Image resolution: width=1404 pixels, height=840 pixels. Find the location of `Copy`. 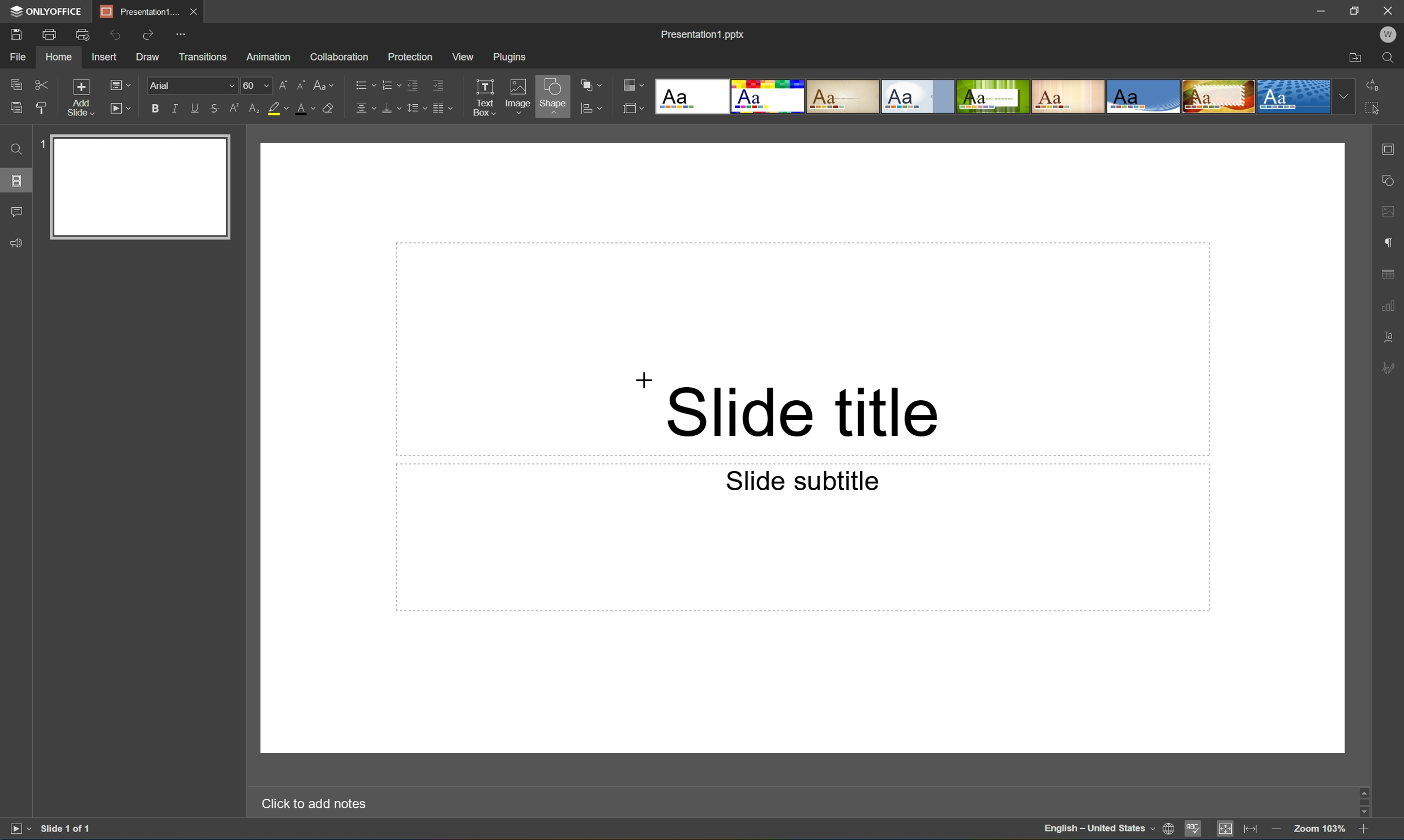

Copy is located at coordinates (17, 82).